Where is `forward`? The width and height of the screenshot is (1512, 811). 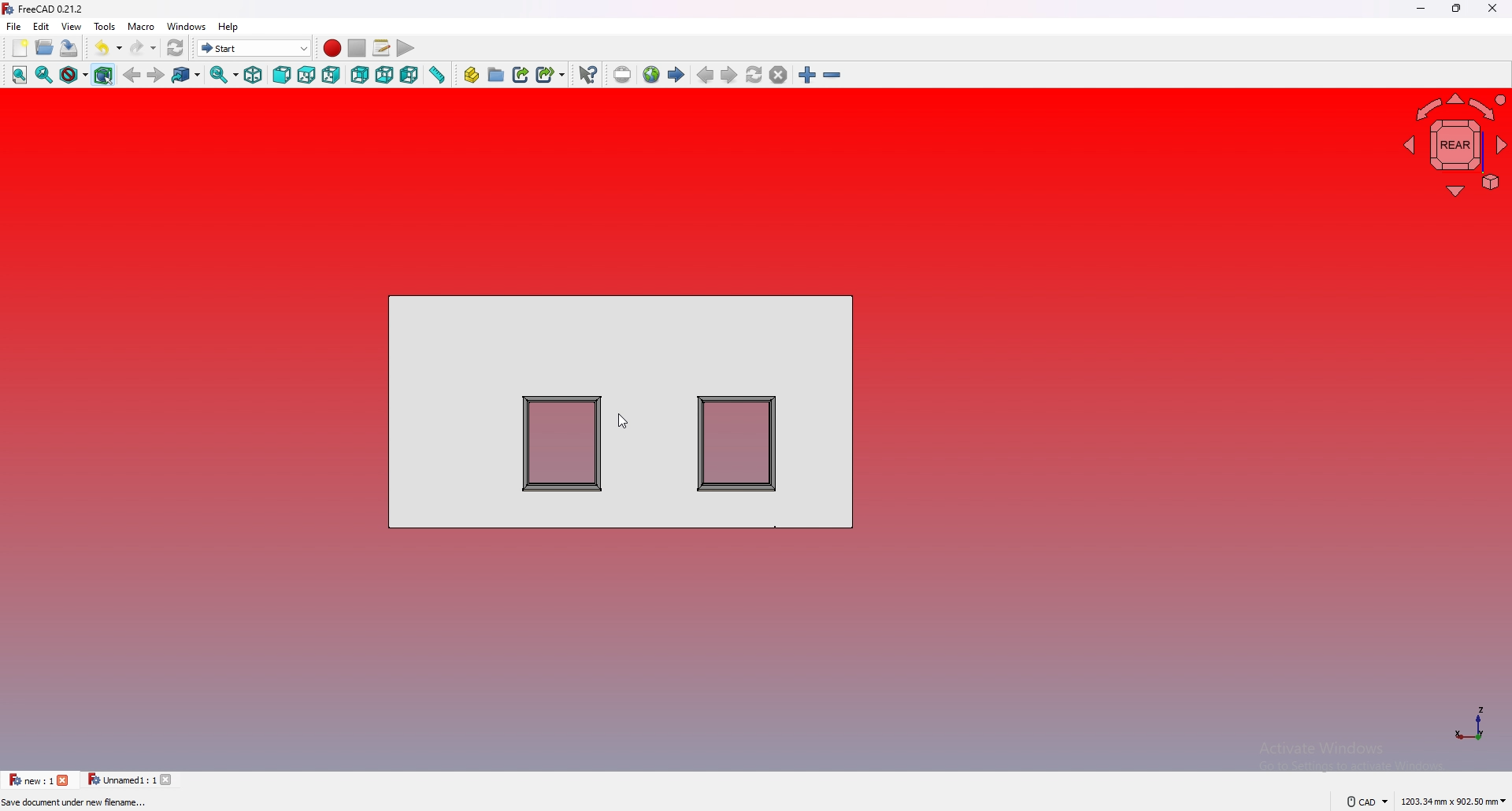
forward is located at coordinates (157, 74).